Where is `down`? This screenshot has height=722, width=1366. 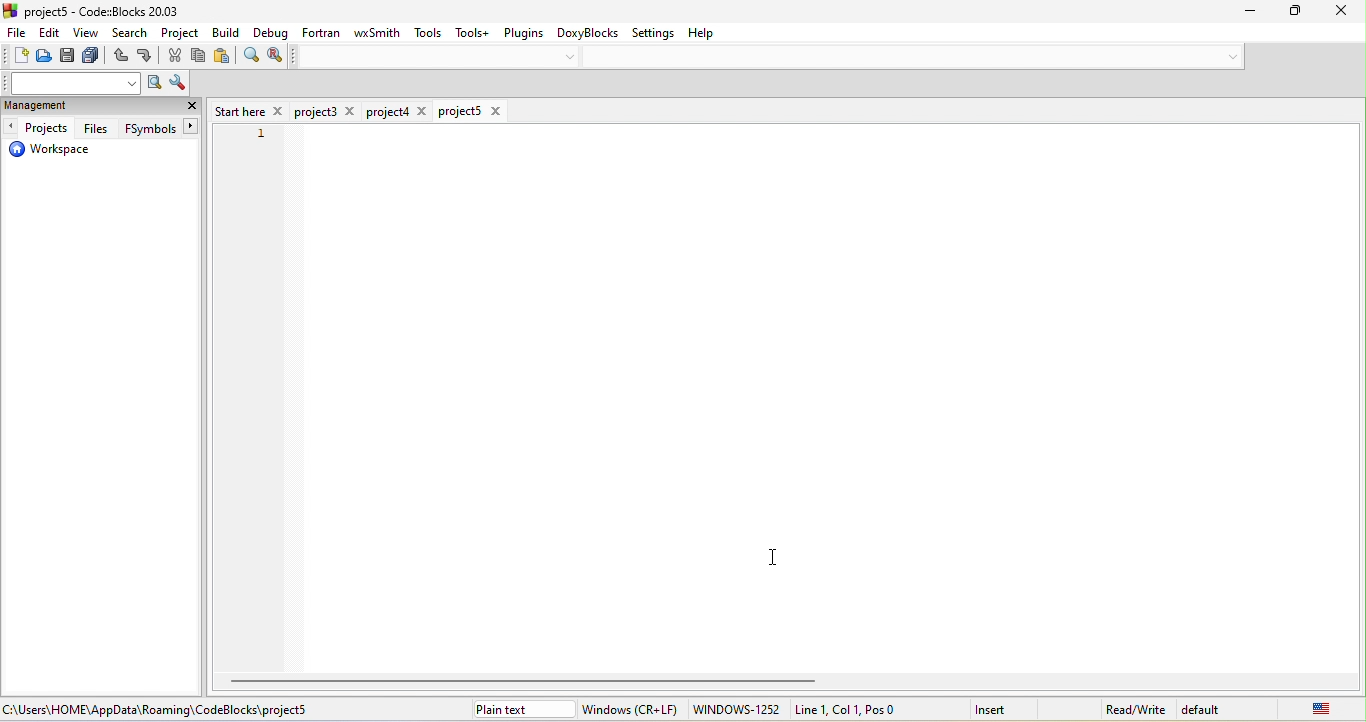 down is located at coordinates (574, 56).